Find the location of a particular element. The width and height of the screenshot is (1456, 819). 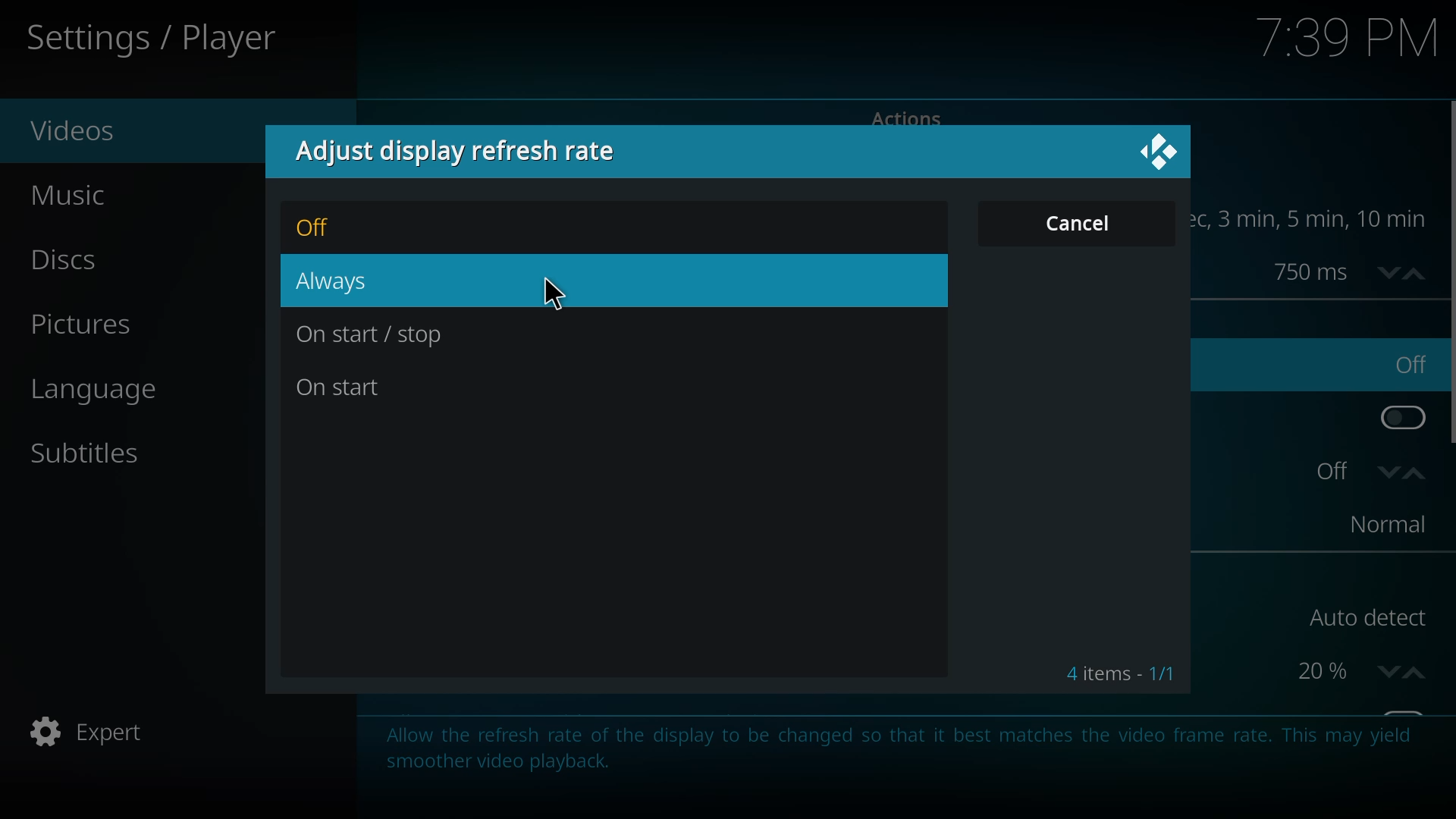

actions is located at coordinates (906, 117).